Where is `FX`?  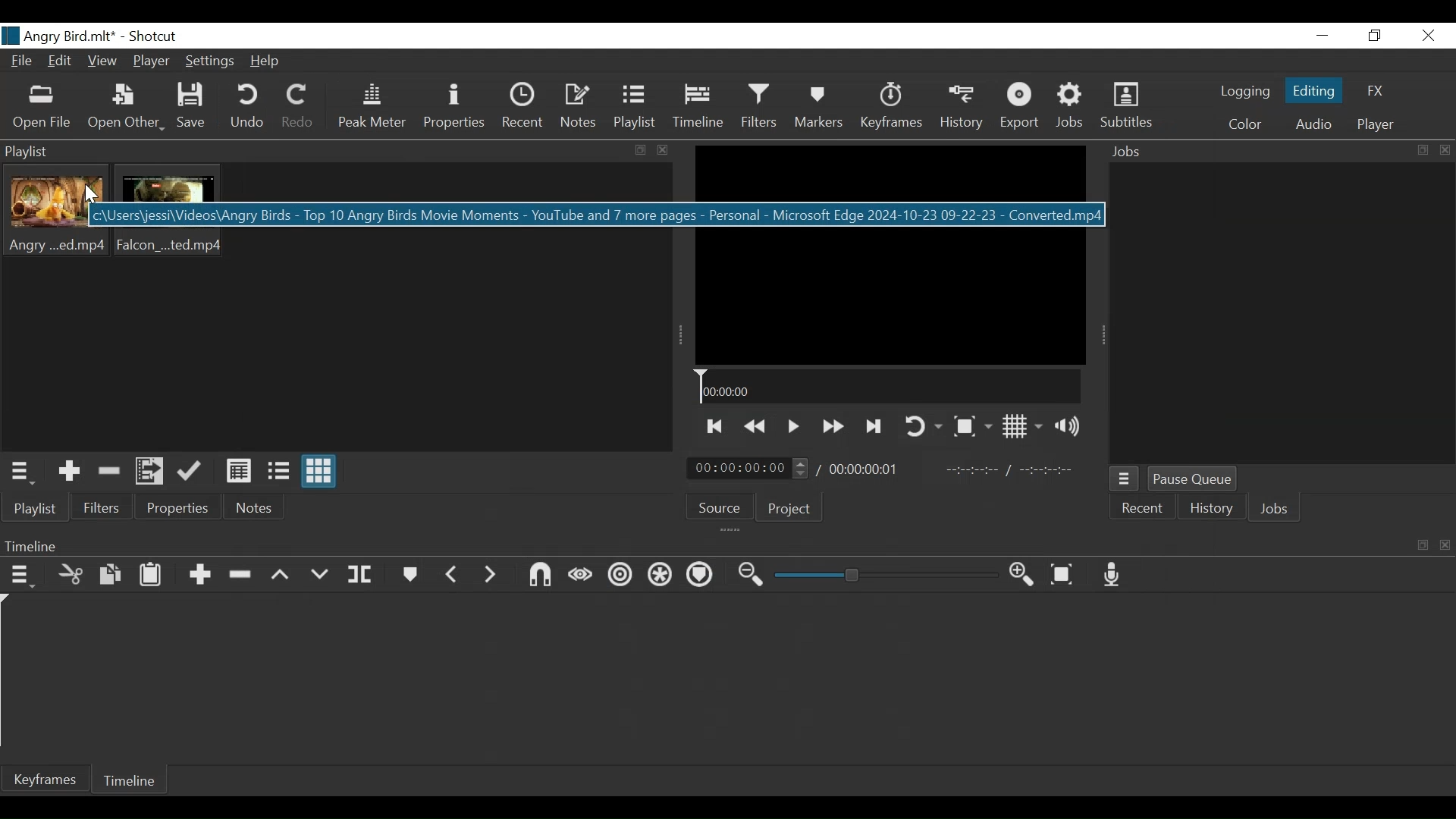 FX is located at coordinates (1376, 91).